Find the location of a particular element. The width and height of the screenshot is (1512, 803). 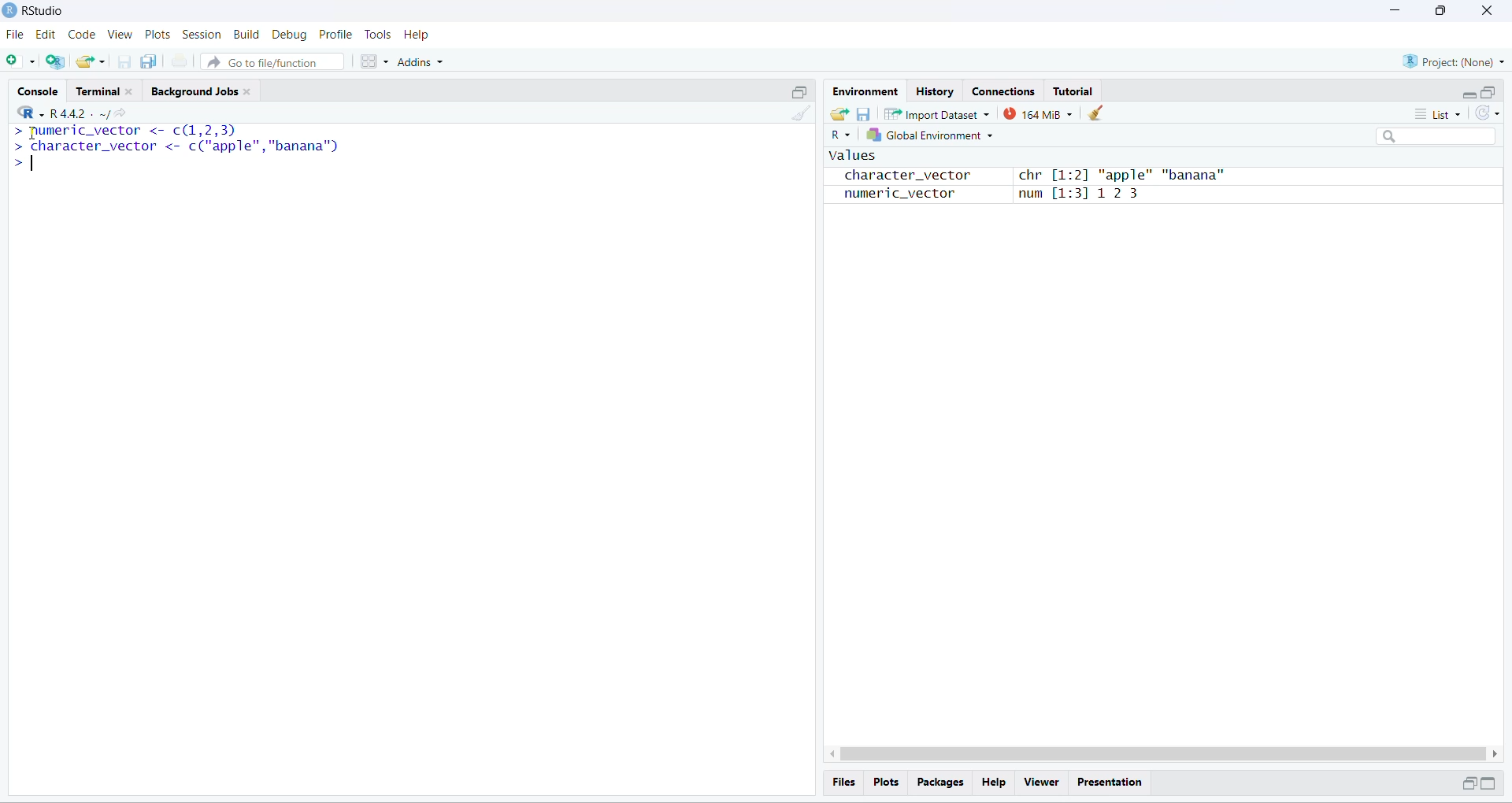

chr [1:2] "apple" "banana" is located at coordinates (1121, 176).